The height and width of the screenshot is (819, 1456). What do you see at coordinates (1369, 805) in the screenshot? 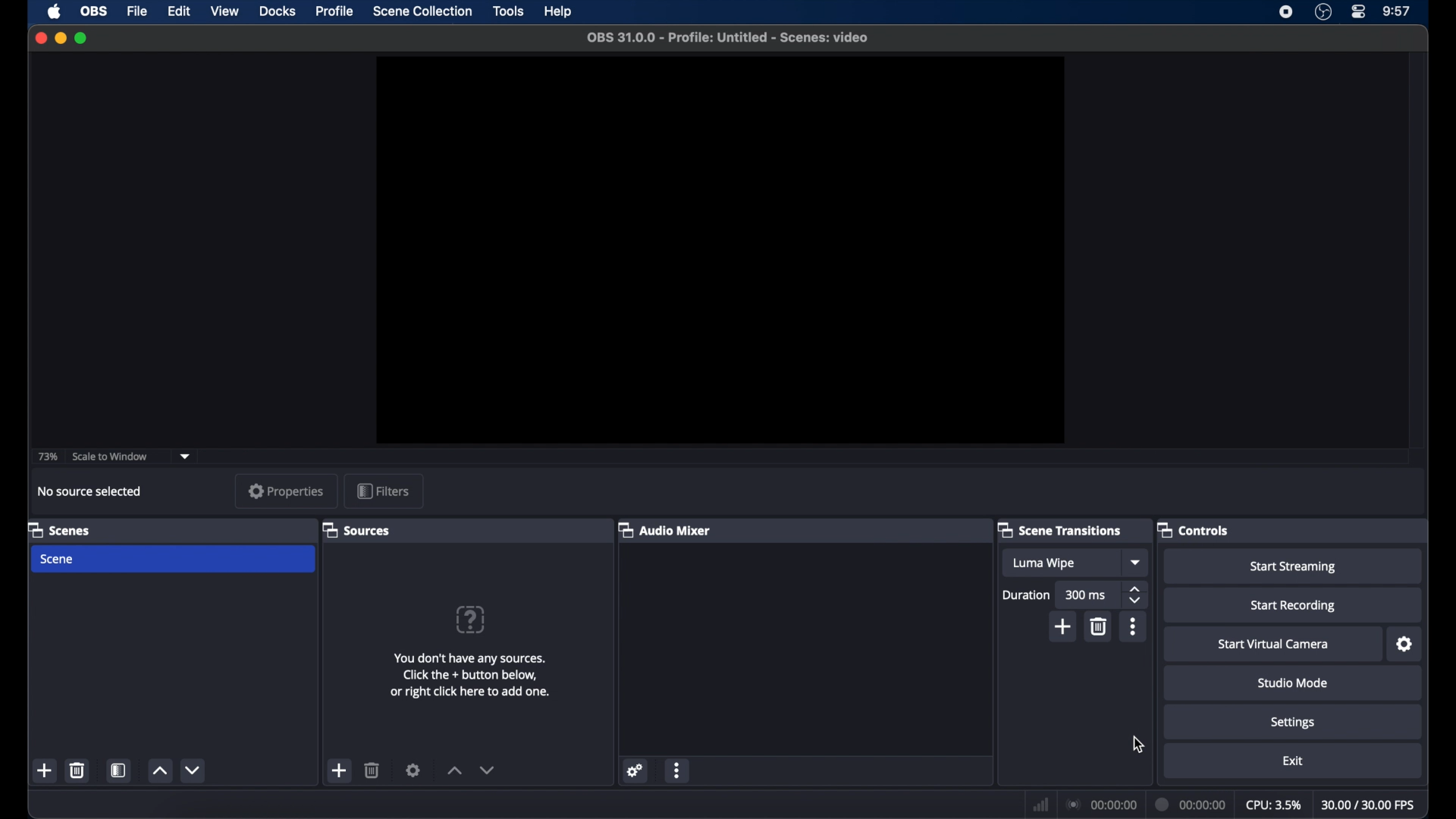
I see `fps` at bounding box center [1369, 805].